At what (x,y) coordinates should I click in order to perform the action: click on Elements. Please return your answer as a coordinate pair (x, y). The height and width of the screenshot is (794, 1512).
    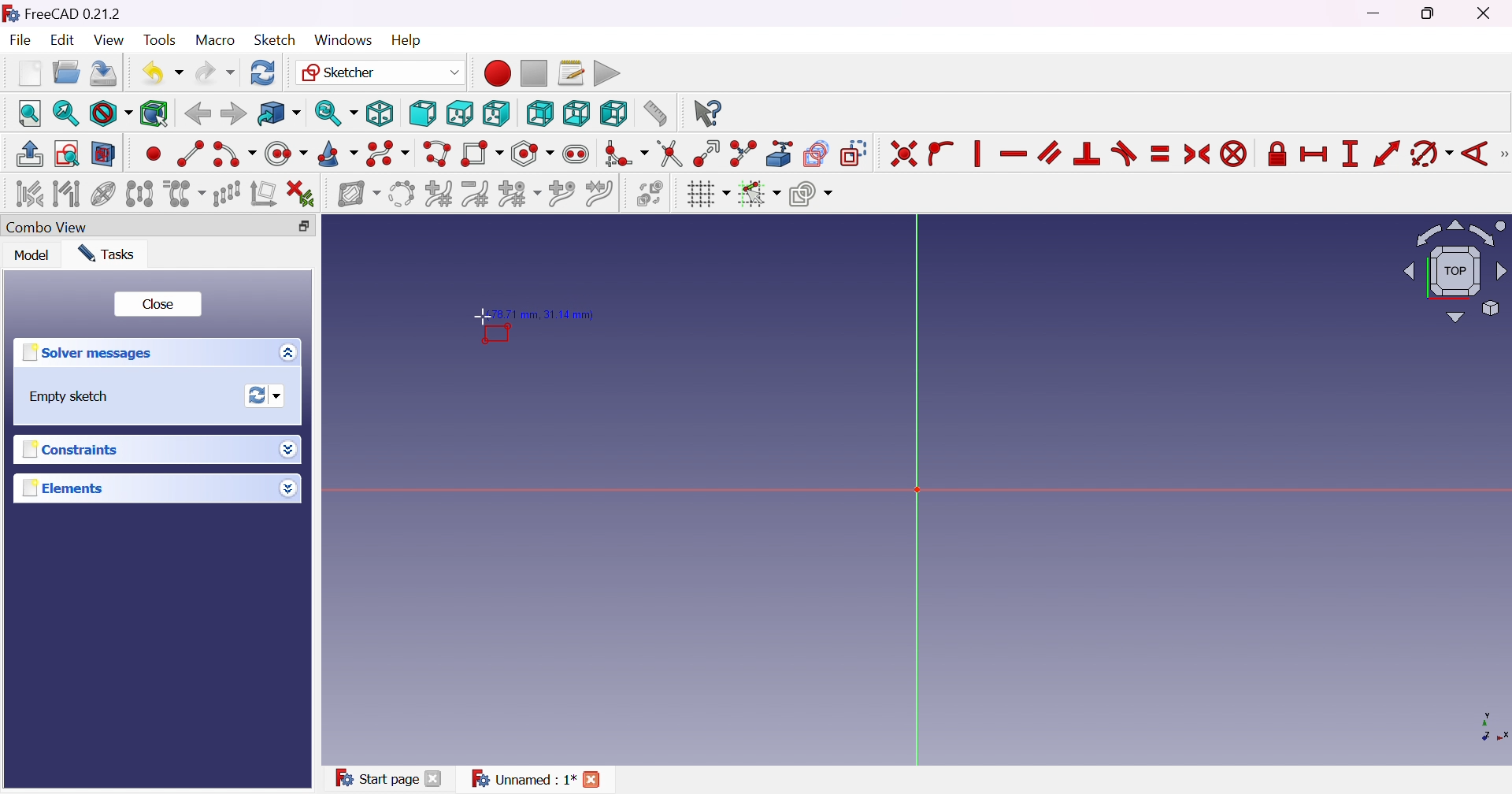
    Looking at the image, I should click on (64, 488).